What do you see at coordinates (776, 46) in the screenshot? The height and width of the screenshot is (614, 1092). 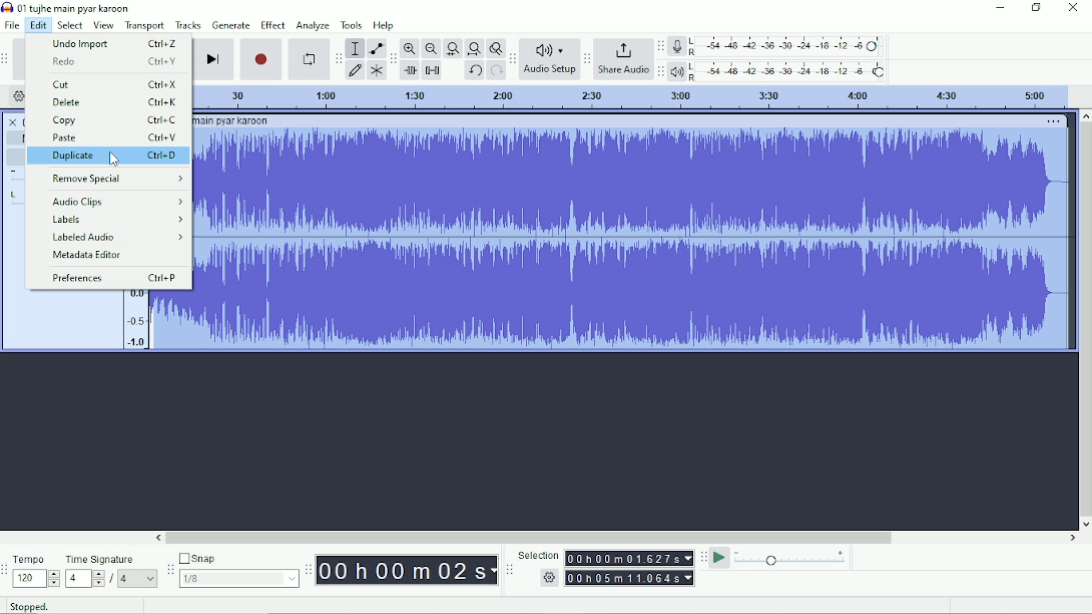 I see `Record meter` at bounding box center [776, 46].